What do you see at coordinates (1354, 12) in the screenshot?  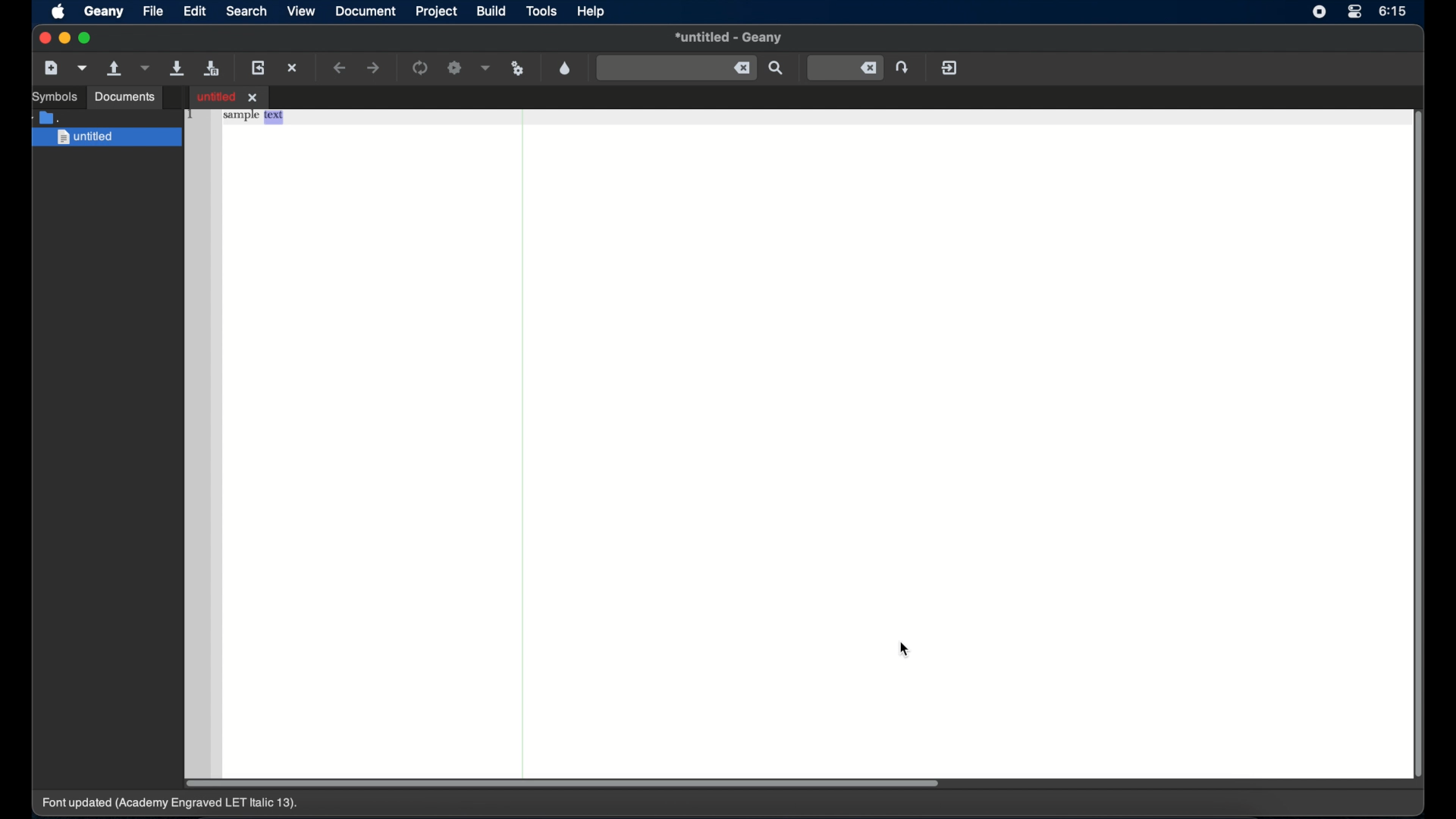 I see `control center` at bounding box center [1354, 12].